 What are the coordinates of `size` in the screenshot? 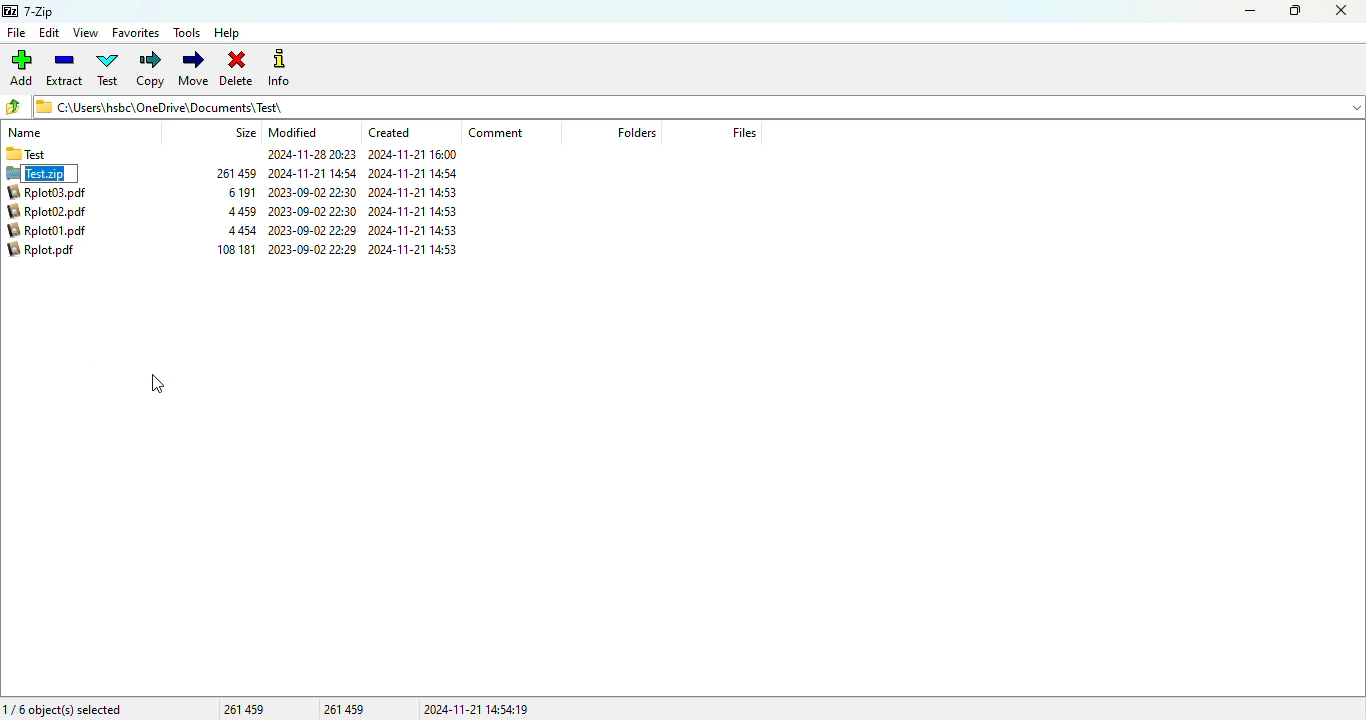 It's located at (245, 132).